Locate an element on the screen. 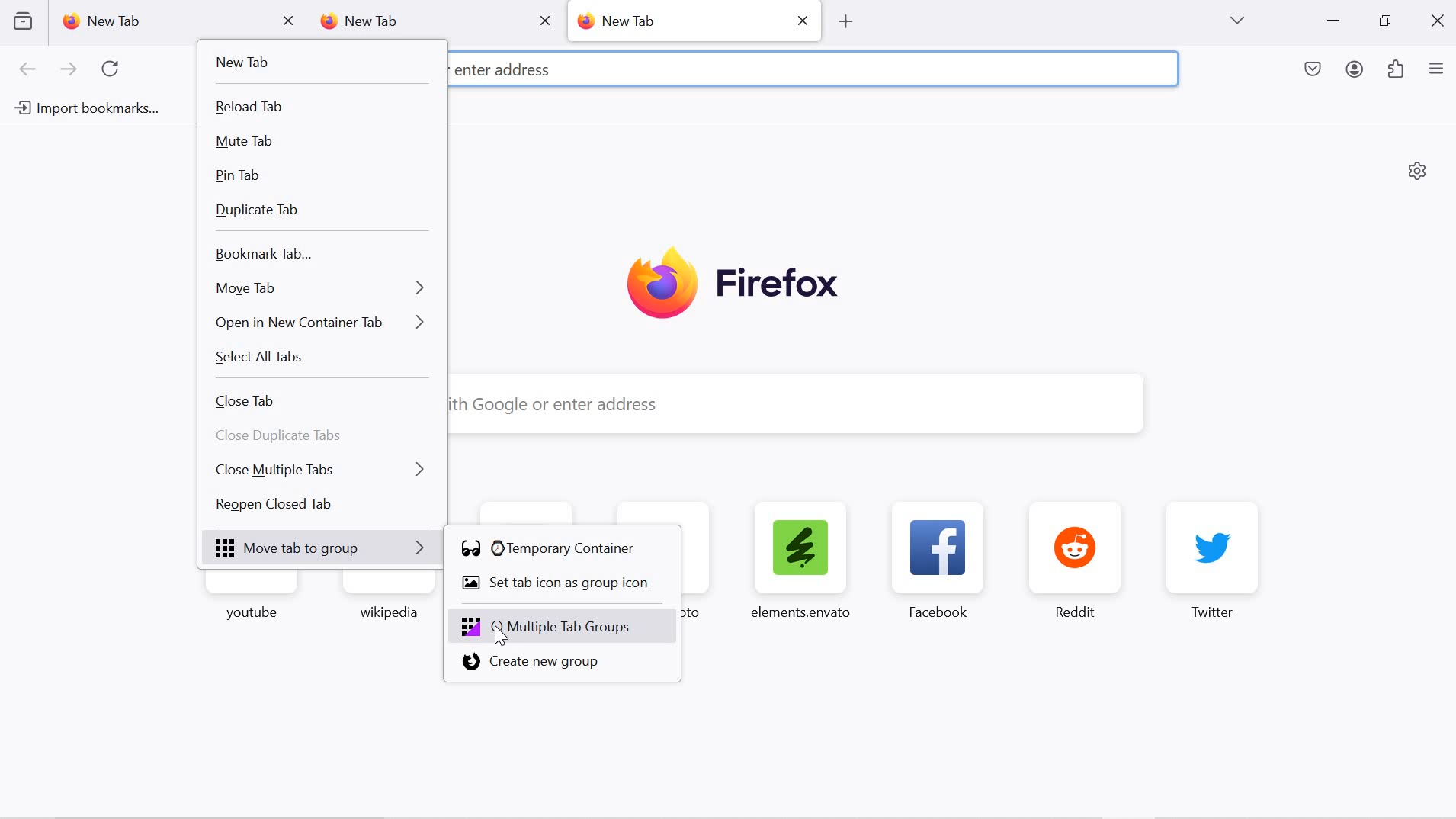 This screenshot has width=1456, height=819. reload tab is located at coordinates (320, 108).